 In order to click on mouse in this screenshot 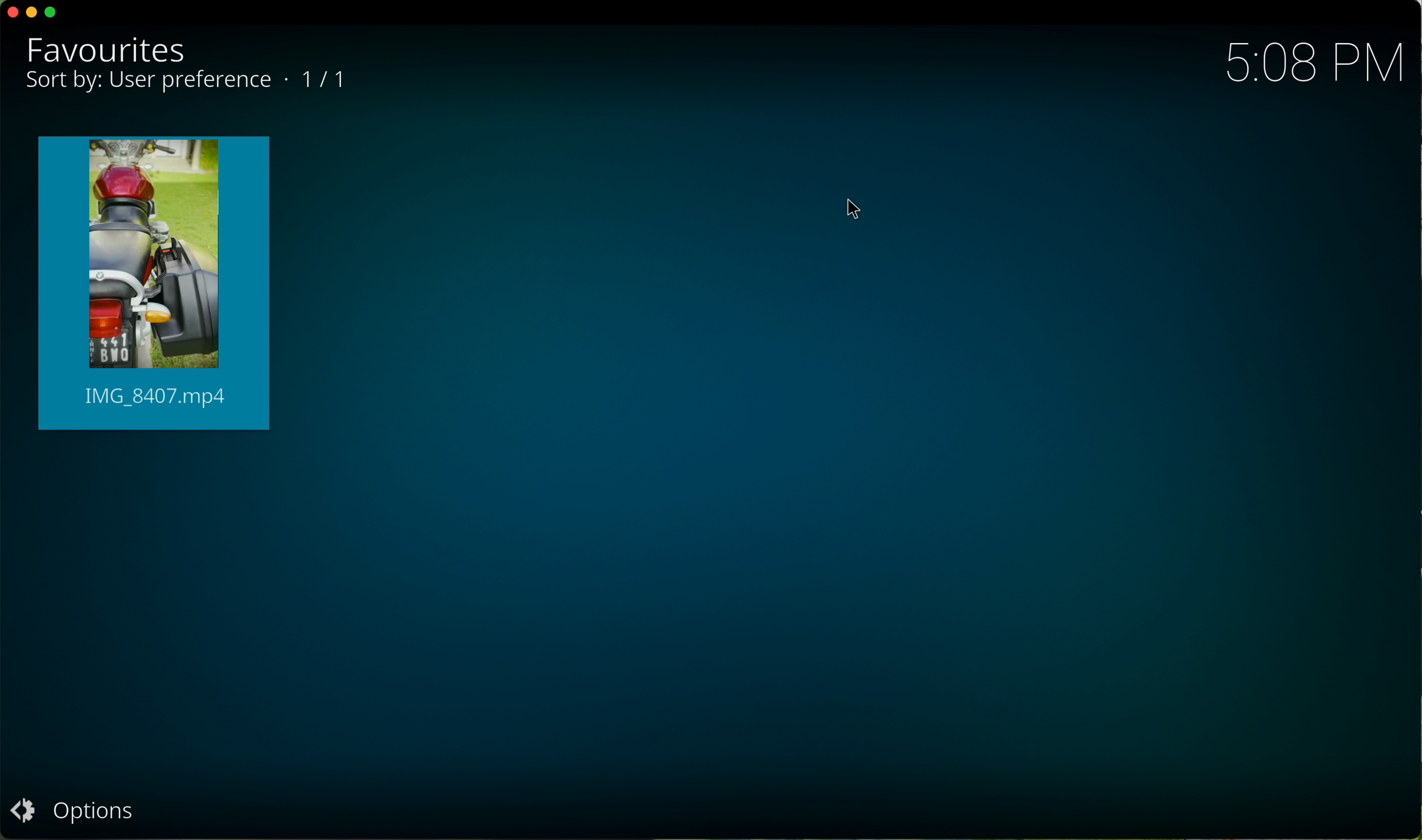, I will do `click(853, 209)`.